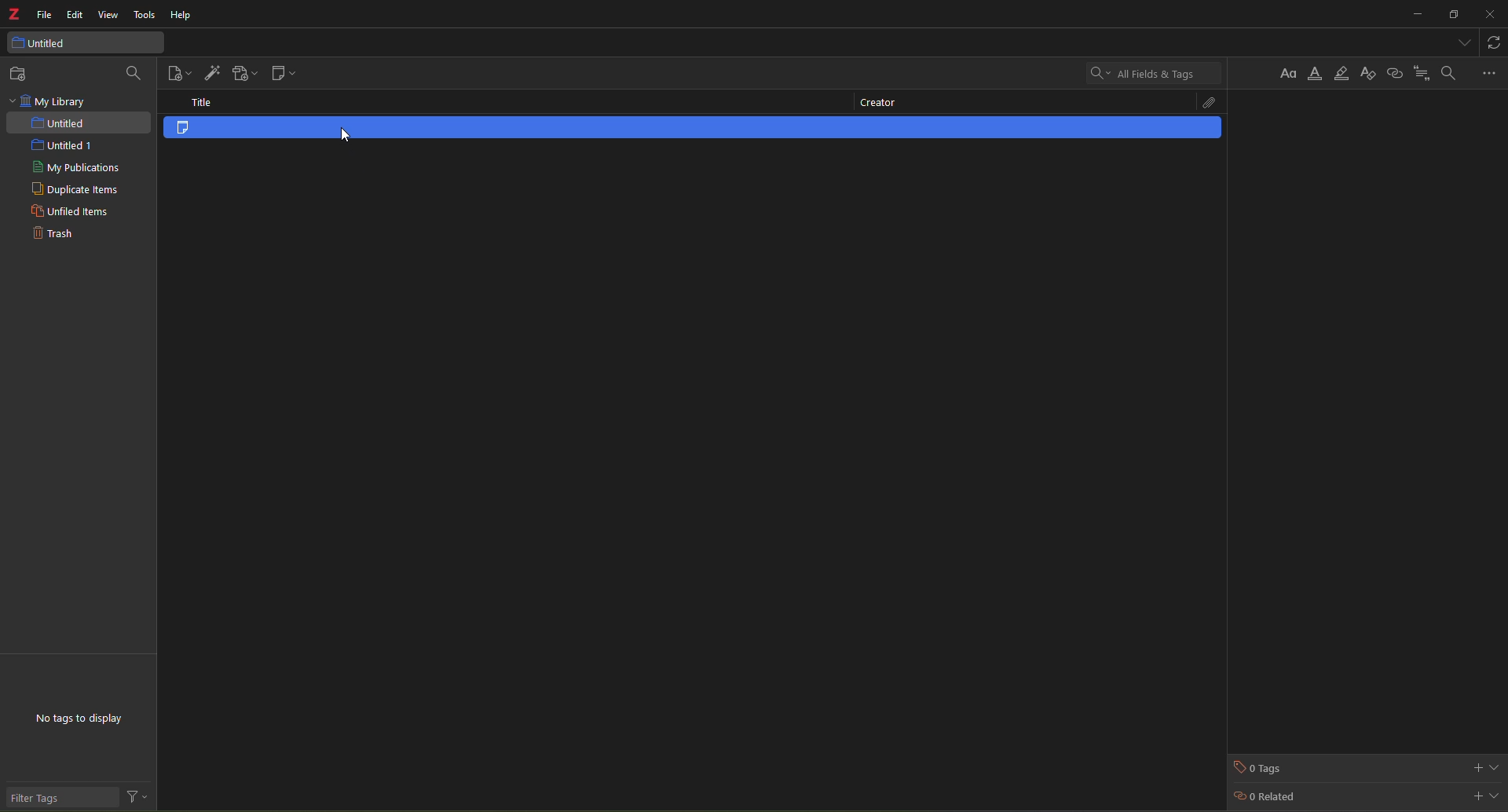  What do you see at coordinates (1367, 75) in the screenshot?
I see `clear formatting` at bounding box center [1367, 75].